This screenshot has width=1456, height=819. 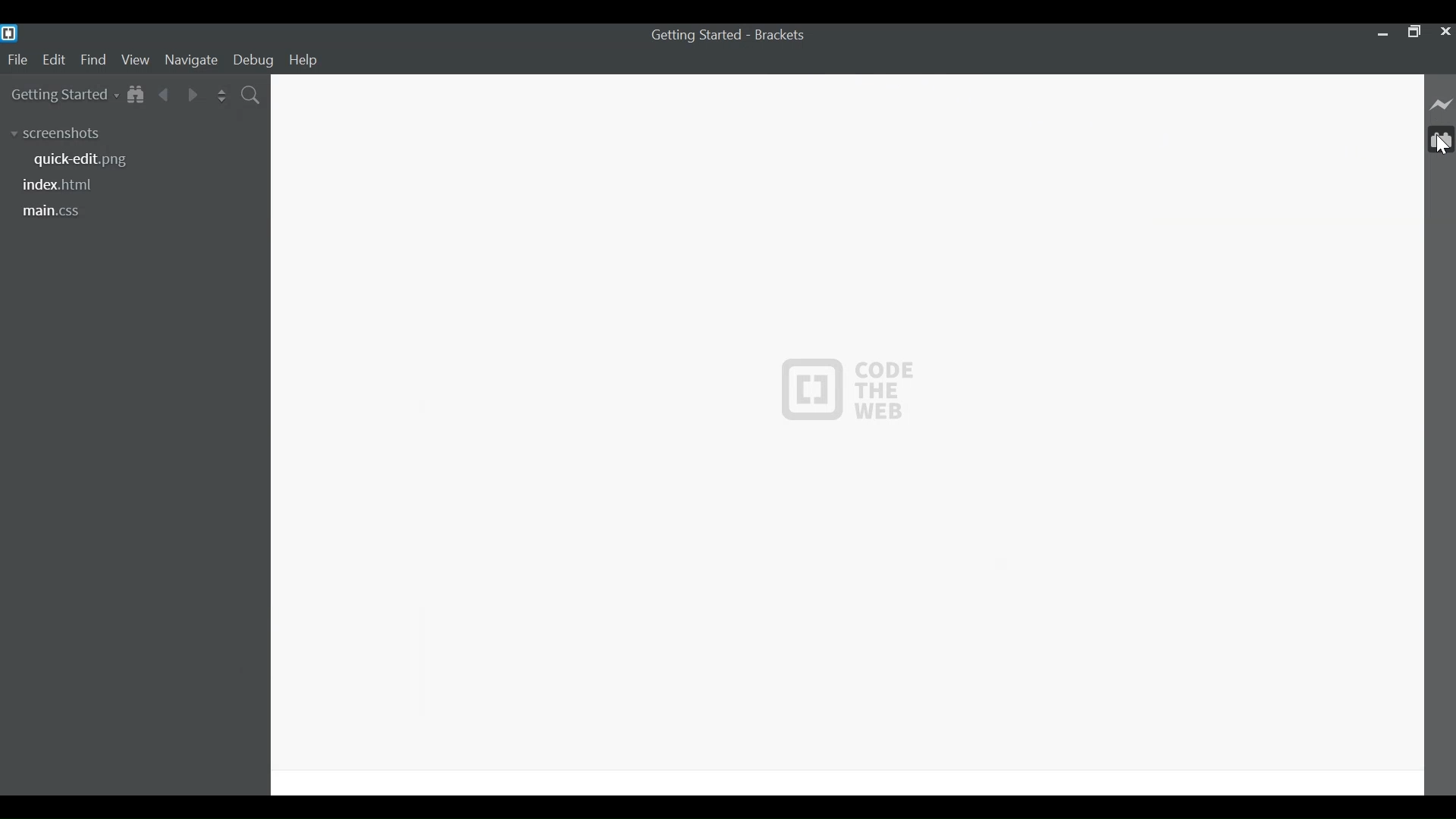 I want to click on Find in Files, so click(x=249, y=95).